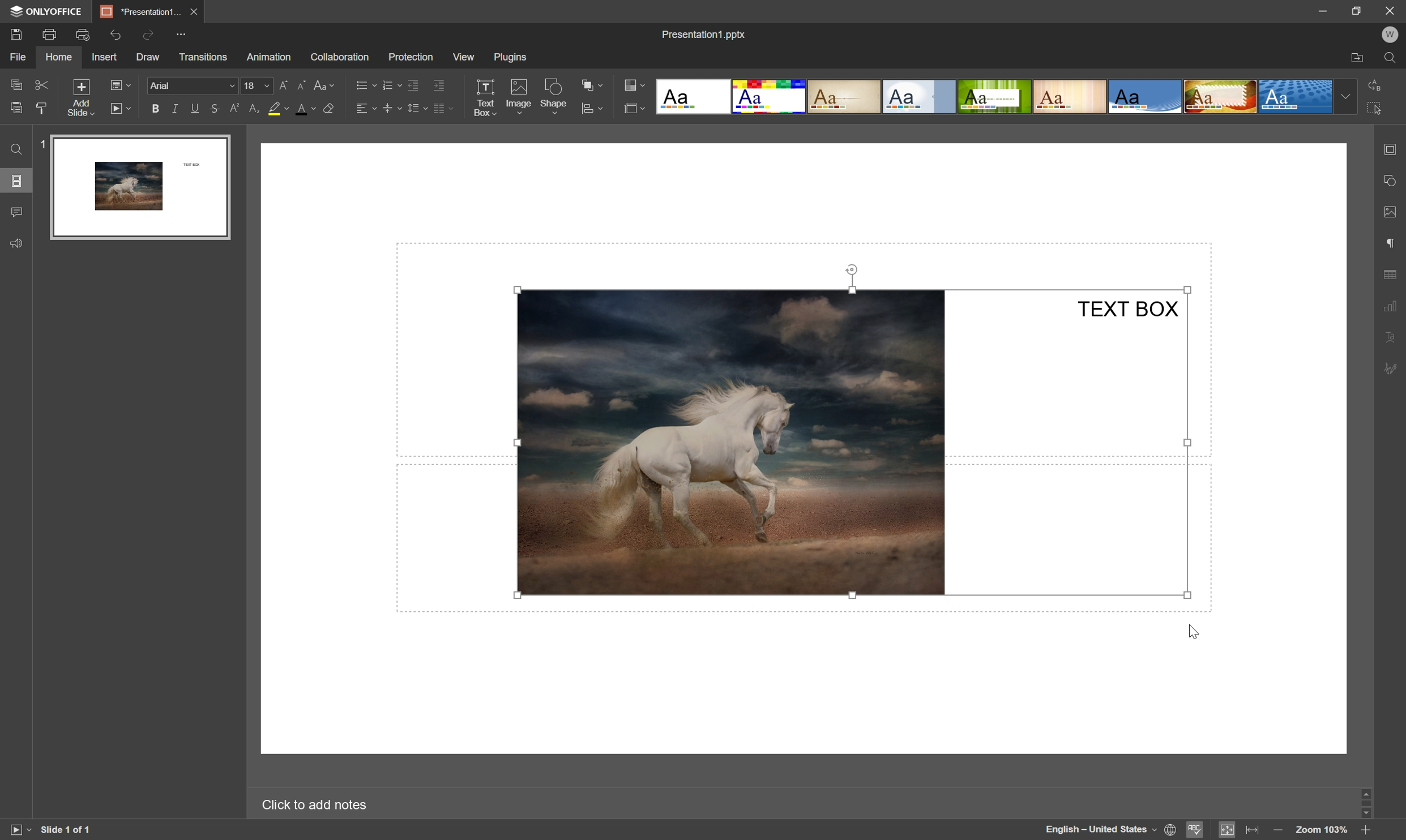 This screenshot has height=840, width=1406. Describe the element at coordinates (593, 84) in the screenshot. I see `arrange shape` at that location.